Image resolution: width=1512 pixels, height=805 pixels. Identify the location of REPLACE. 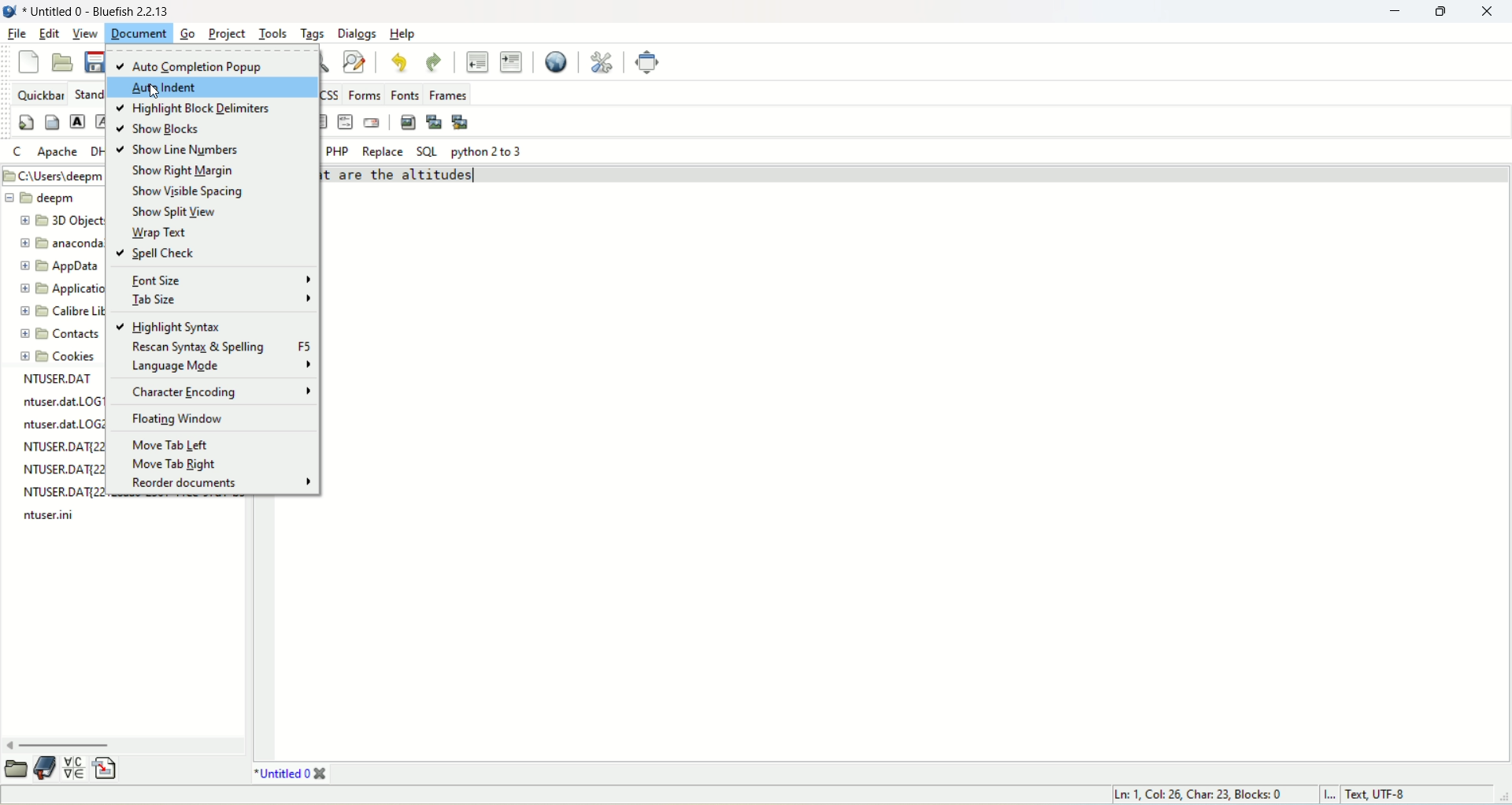
(384, 150).